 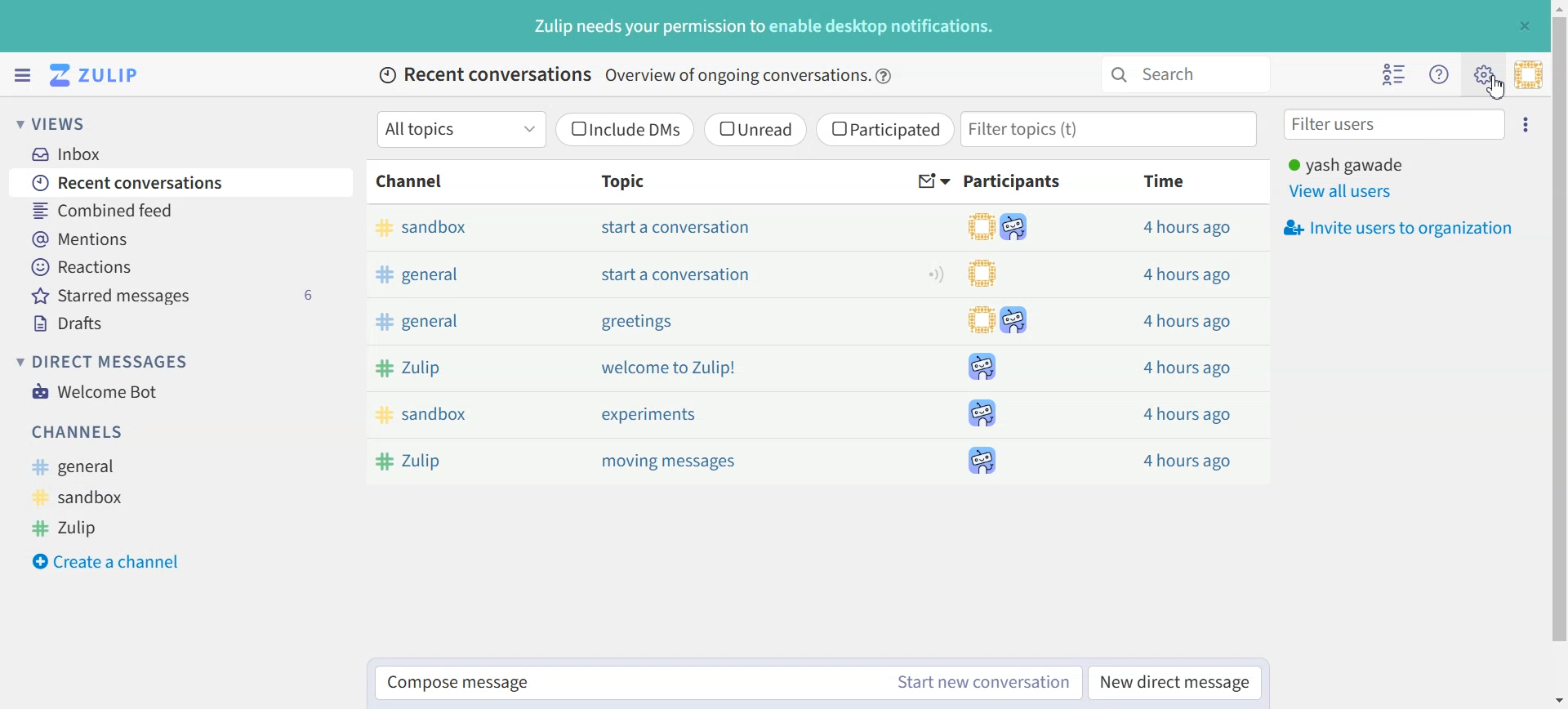 What do you see at coordinates (467, 274) in the screenshot?
I see `#general` at bounding box center [467, 274].